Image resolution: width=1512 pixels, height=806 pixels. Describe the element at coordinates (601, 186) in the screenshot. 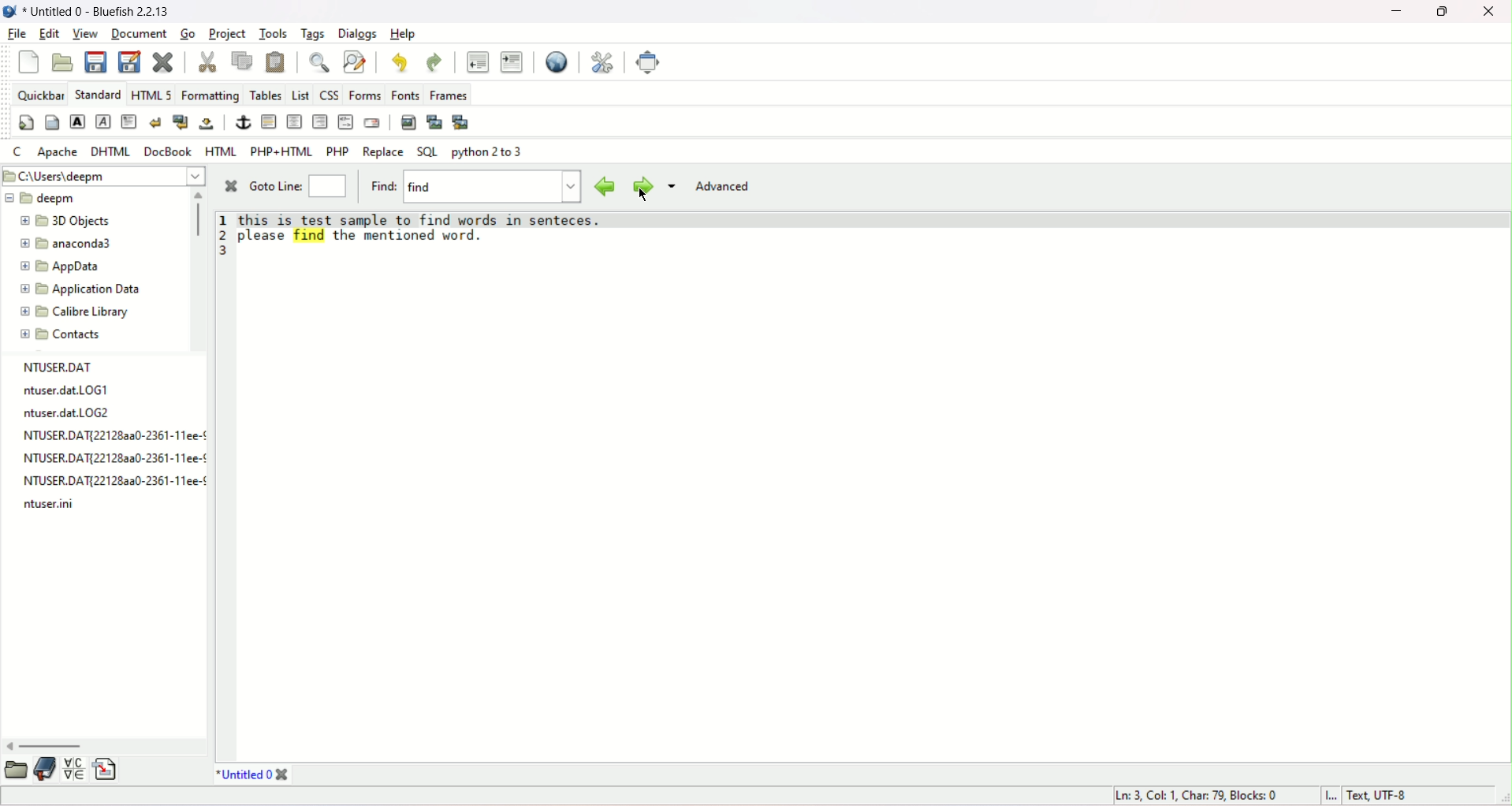

I see `previous` at that location.